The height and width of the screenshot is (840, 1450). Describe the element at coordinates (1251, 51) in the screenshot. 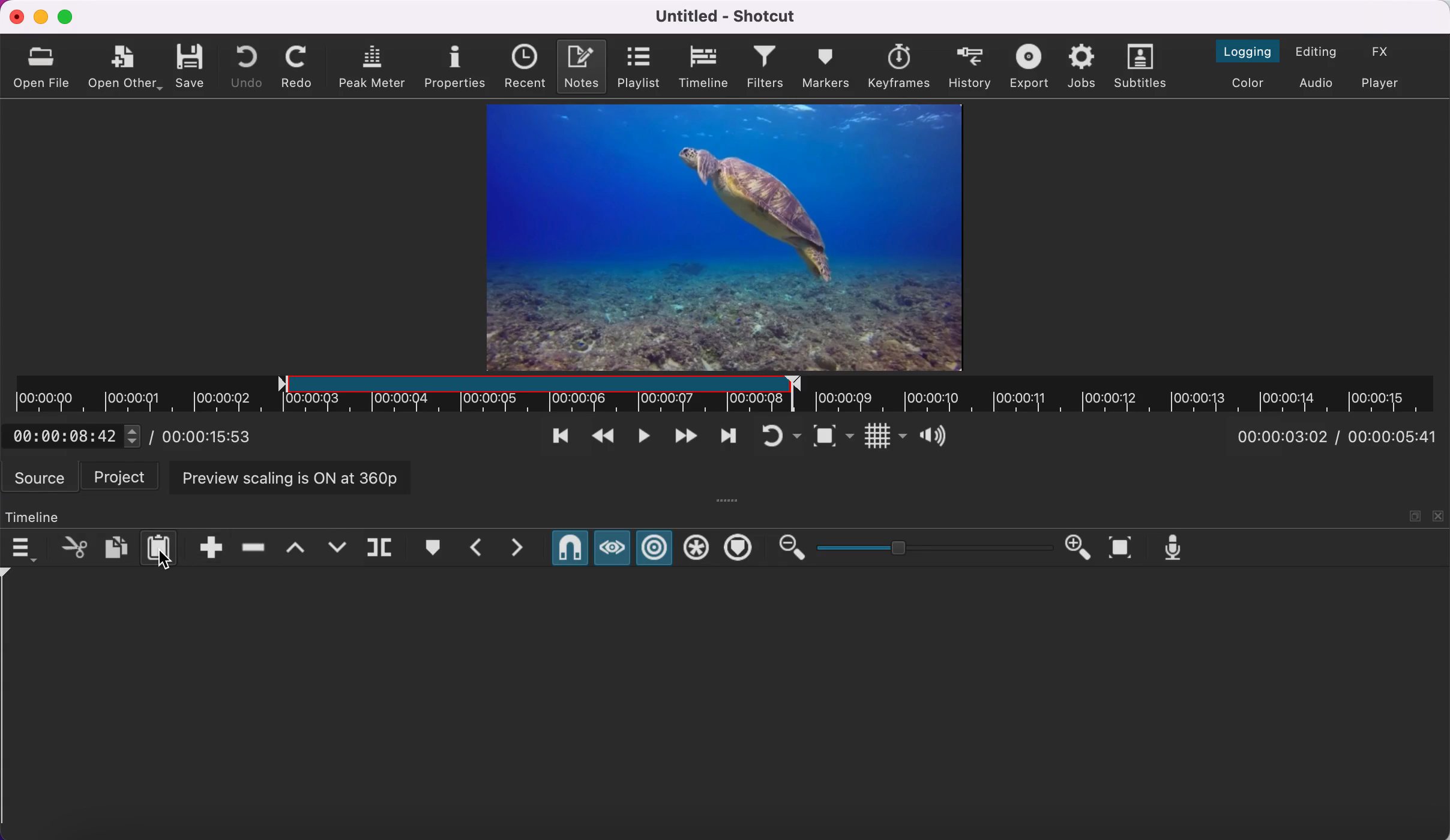

I see `switch to the logging layout` at that location.